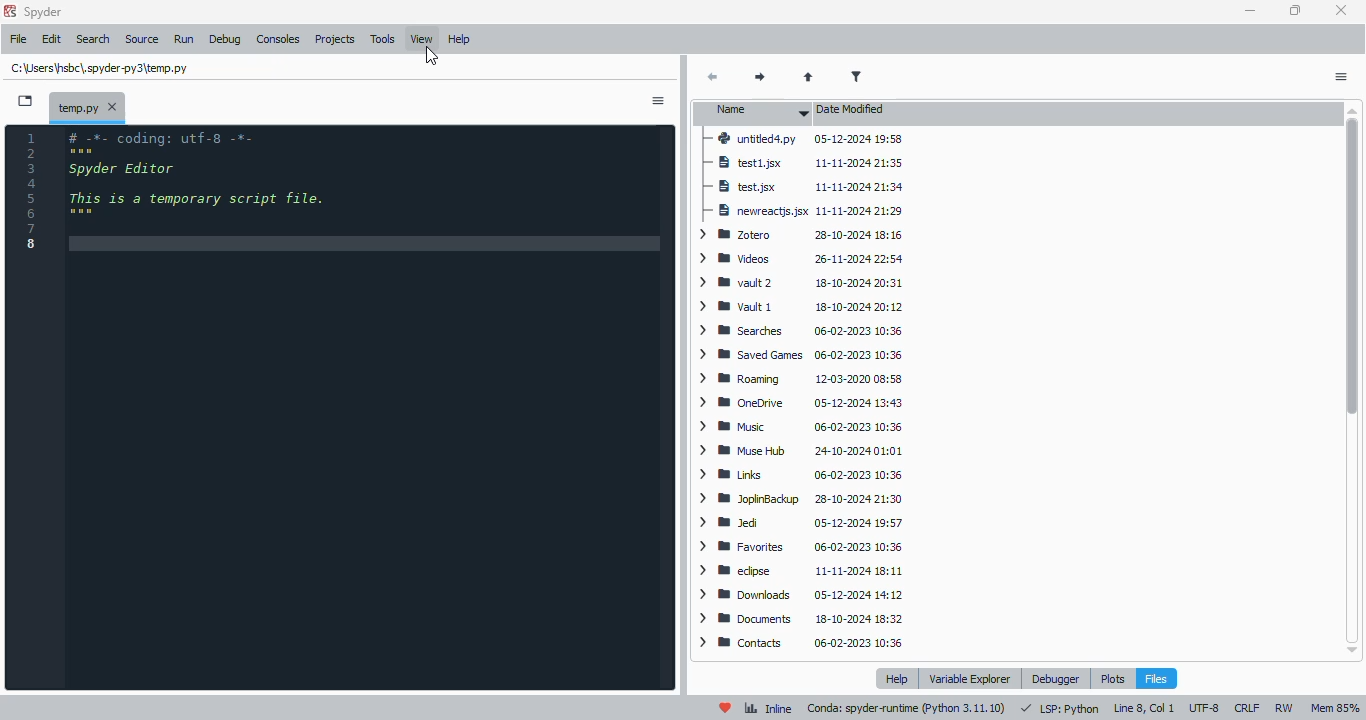 This screenshot has height=720, width=1366. I want to click on date modified, so click(854, 110).